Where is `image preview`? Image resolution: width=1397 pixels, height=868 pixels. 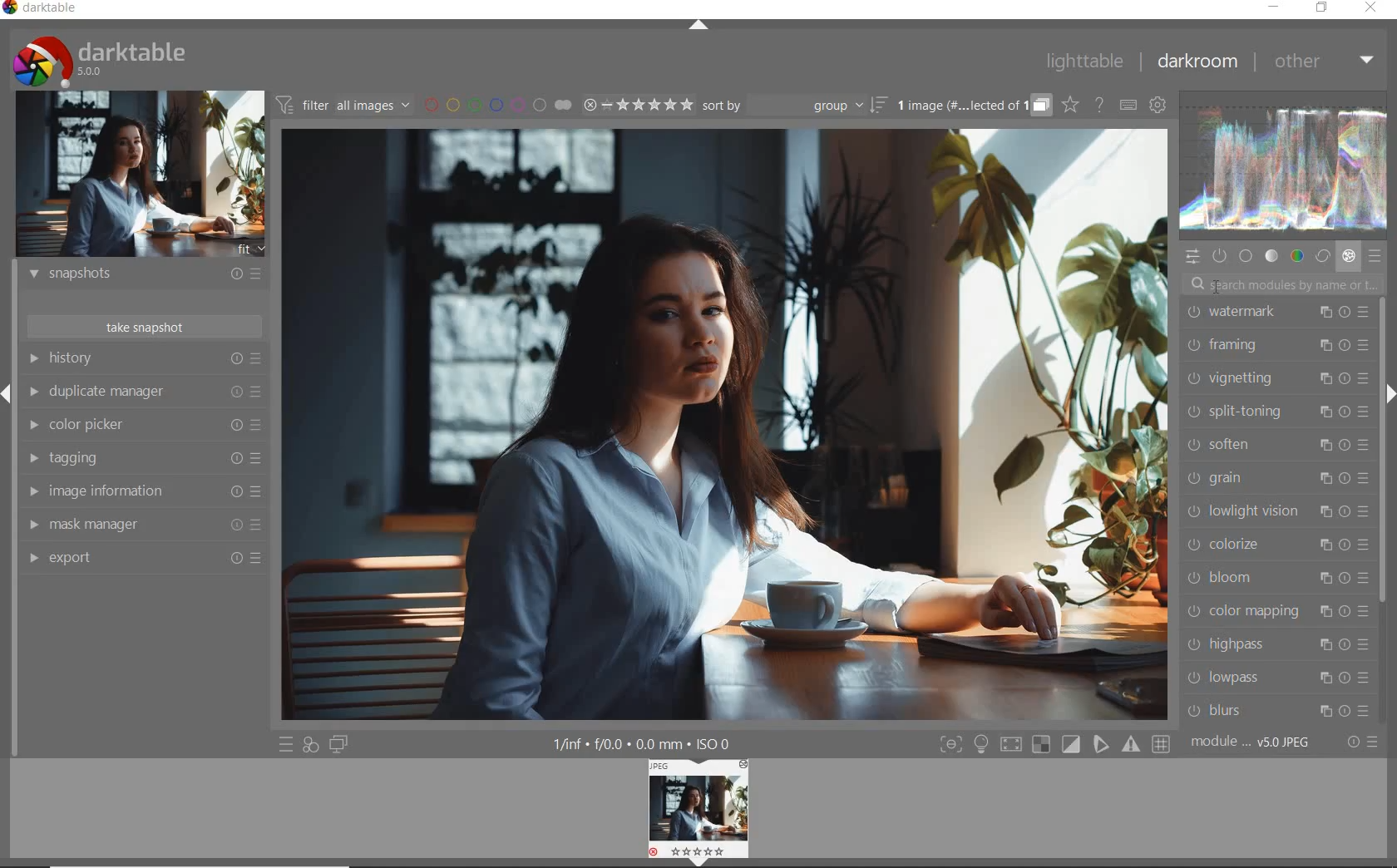 image preview is located at coordinates (695, 811).